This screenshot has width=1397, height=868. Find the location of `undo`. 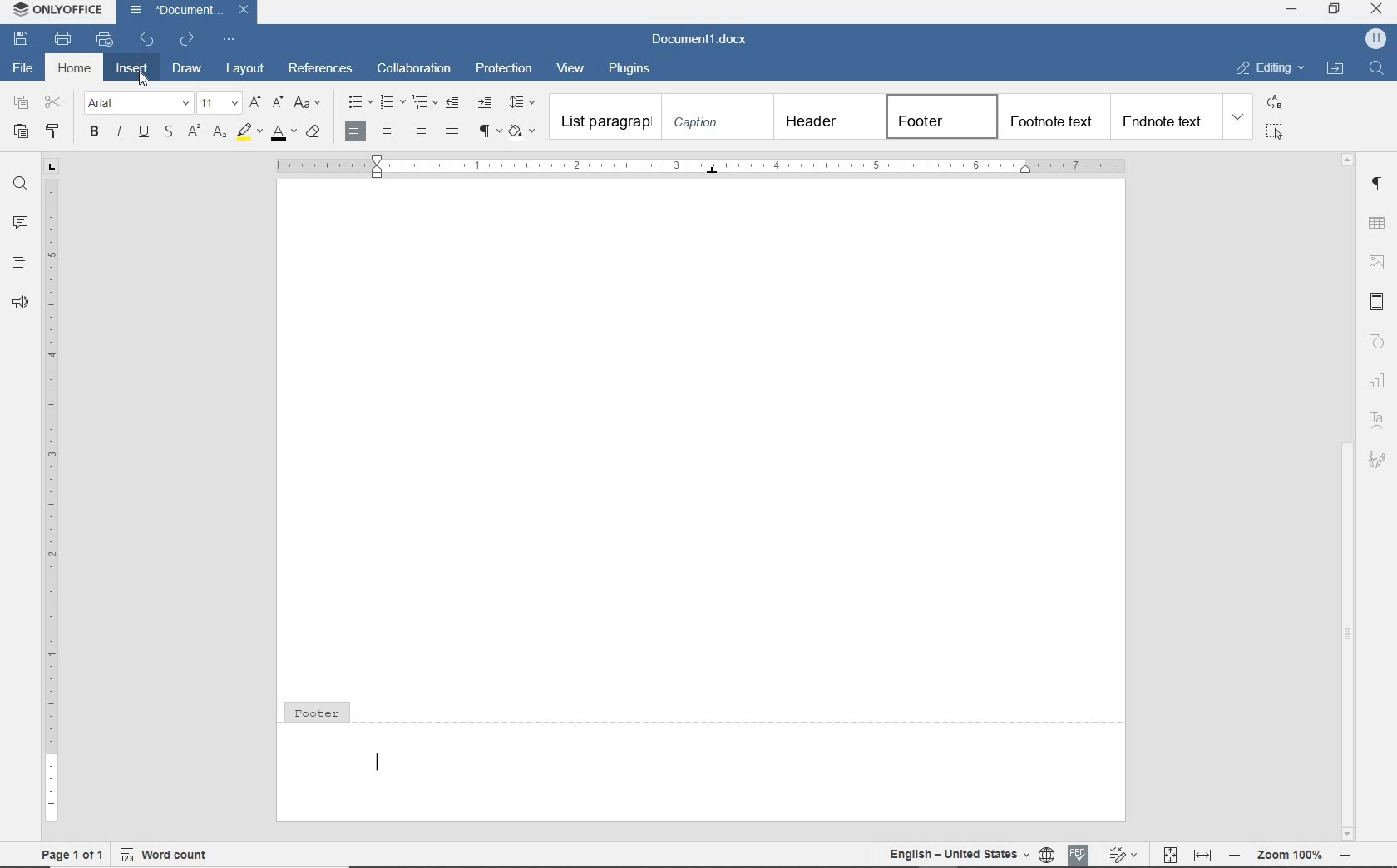

undo is located at coordinates (147, 42).